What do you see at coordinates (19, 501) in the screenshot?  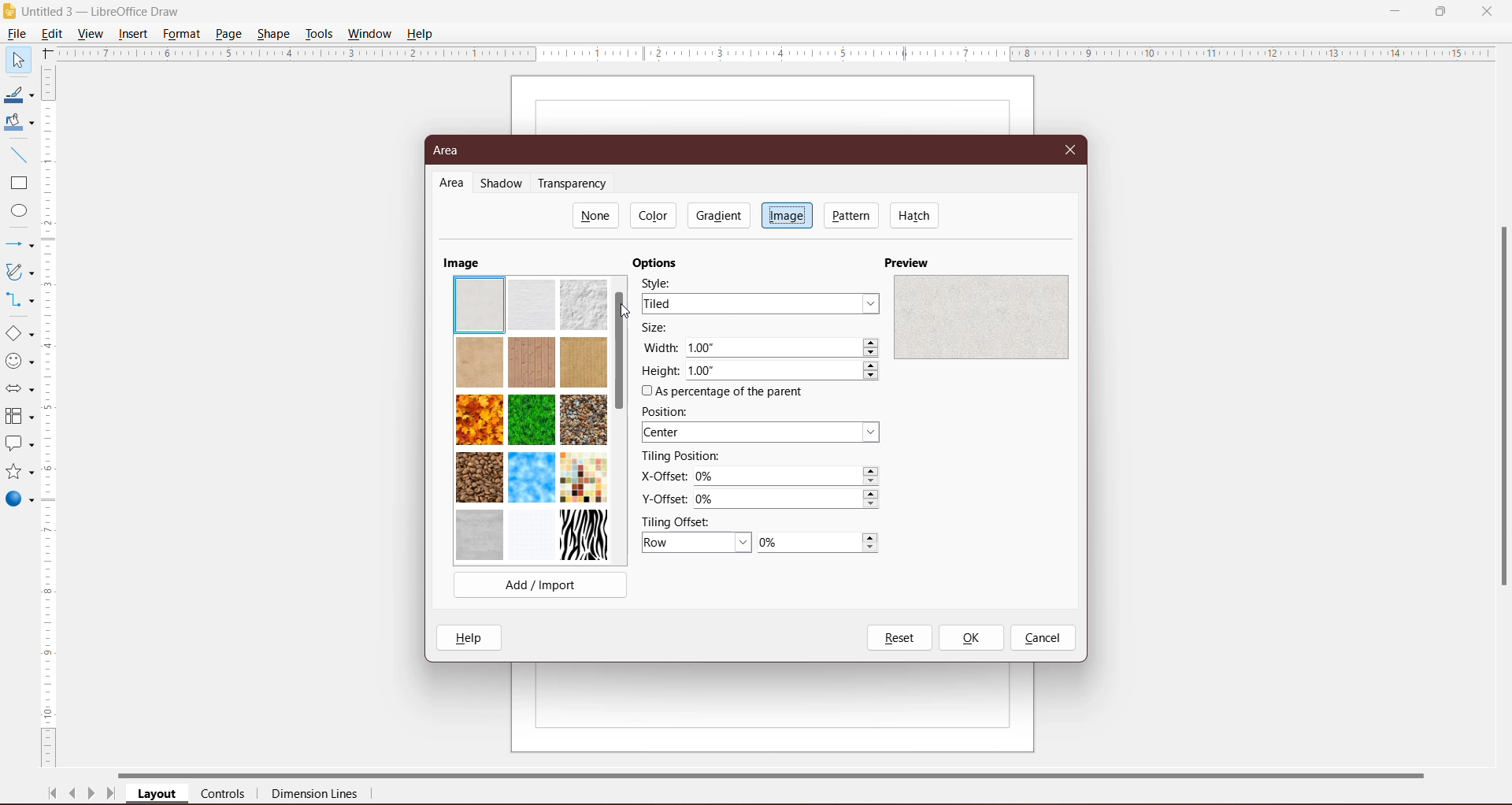 I see `3D objects` at bounding box center [19, 501].